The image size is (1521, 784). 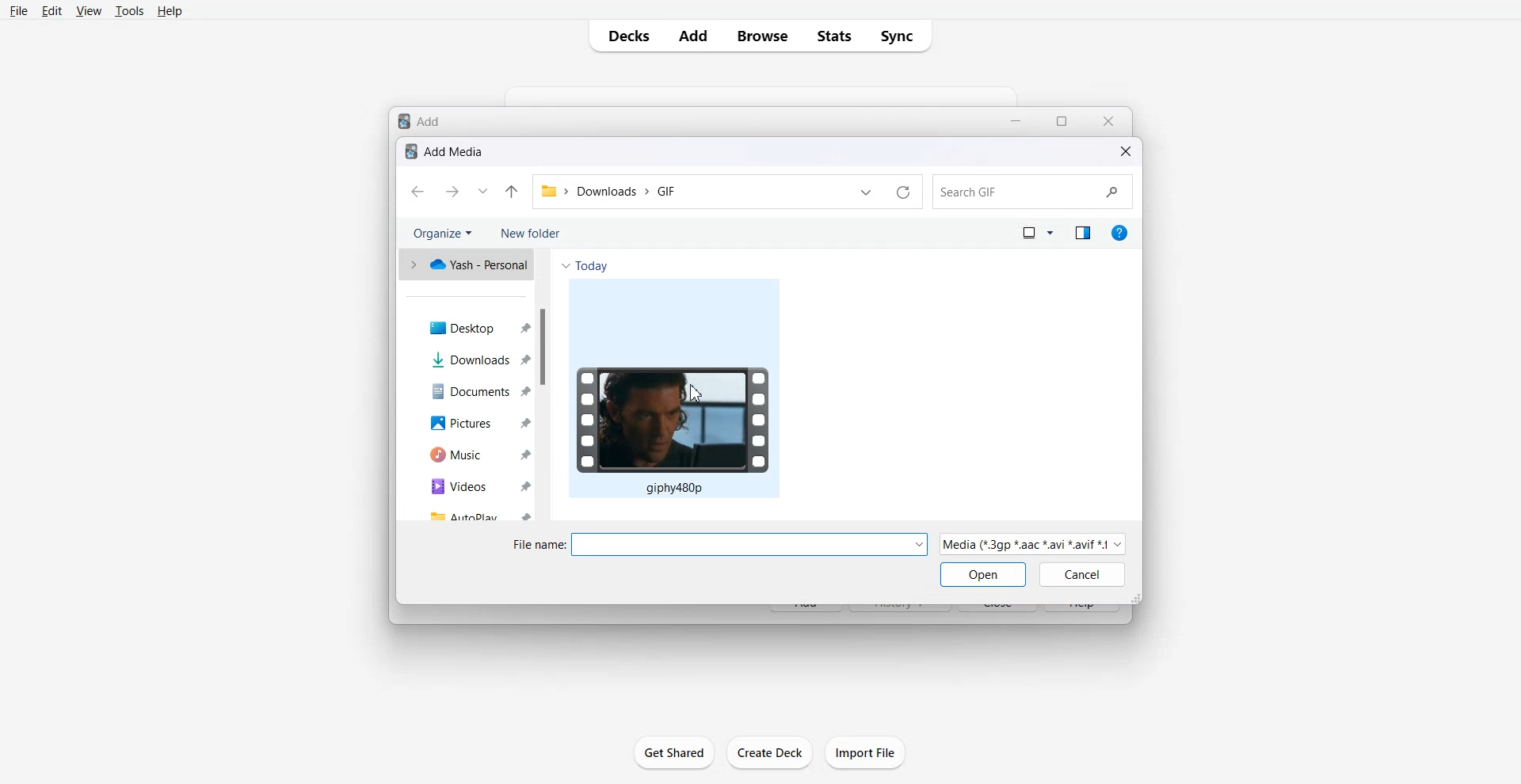 I want to click on , so click(x=751, y=544).